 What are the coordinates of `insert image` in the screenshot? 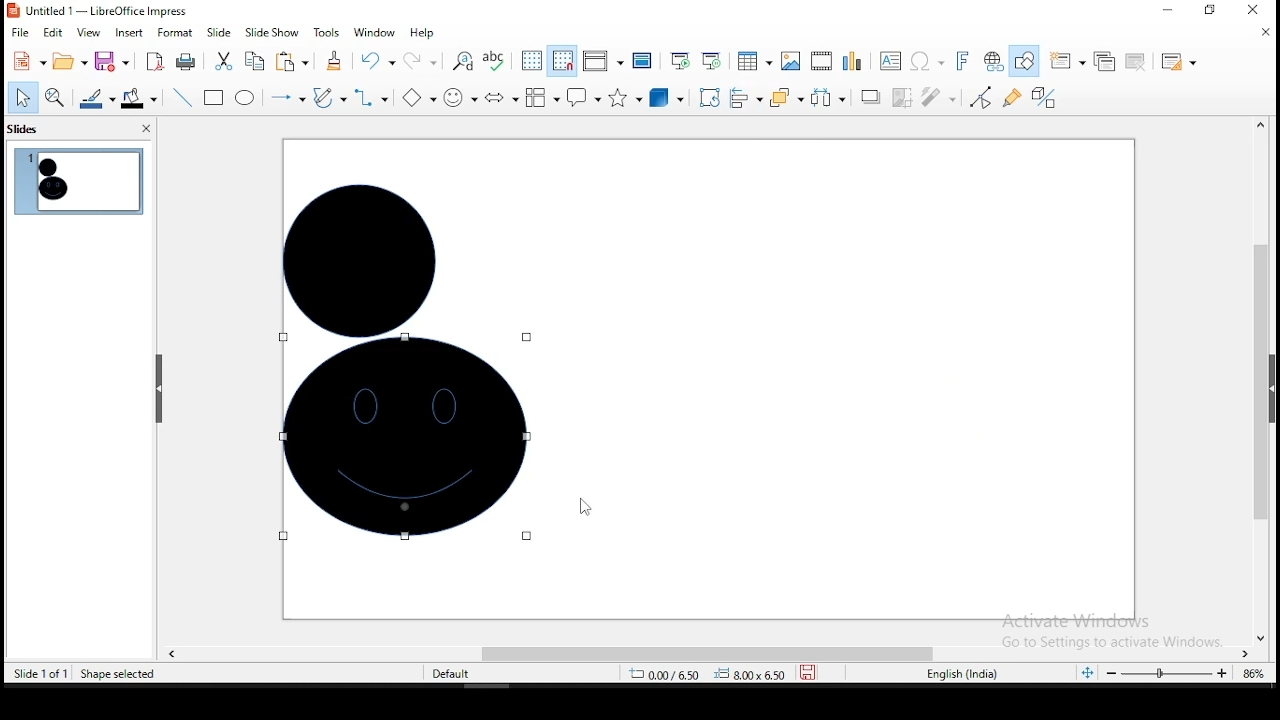 It's located at (788, 62).